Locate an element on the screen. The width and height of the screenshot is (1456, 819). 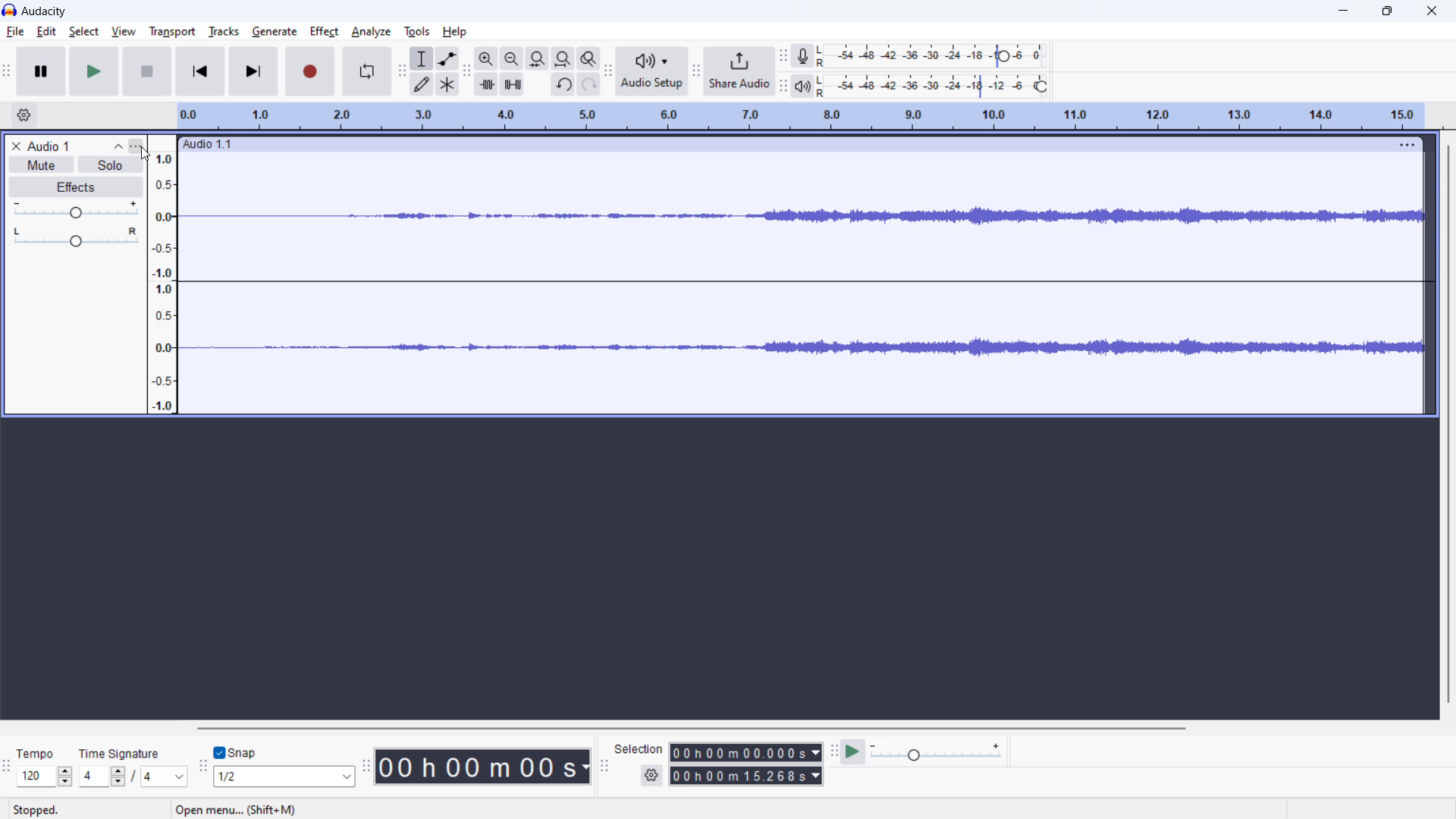
playback speed is located at coordinates (937, 751).